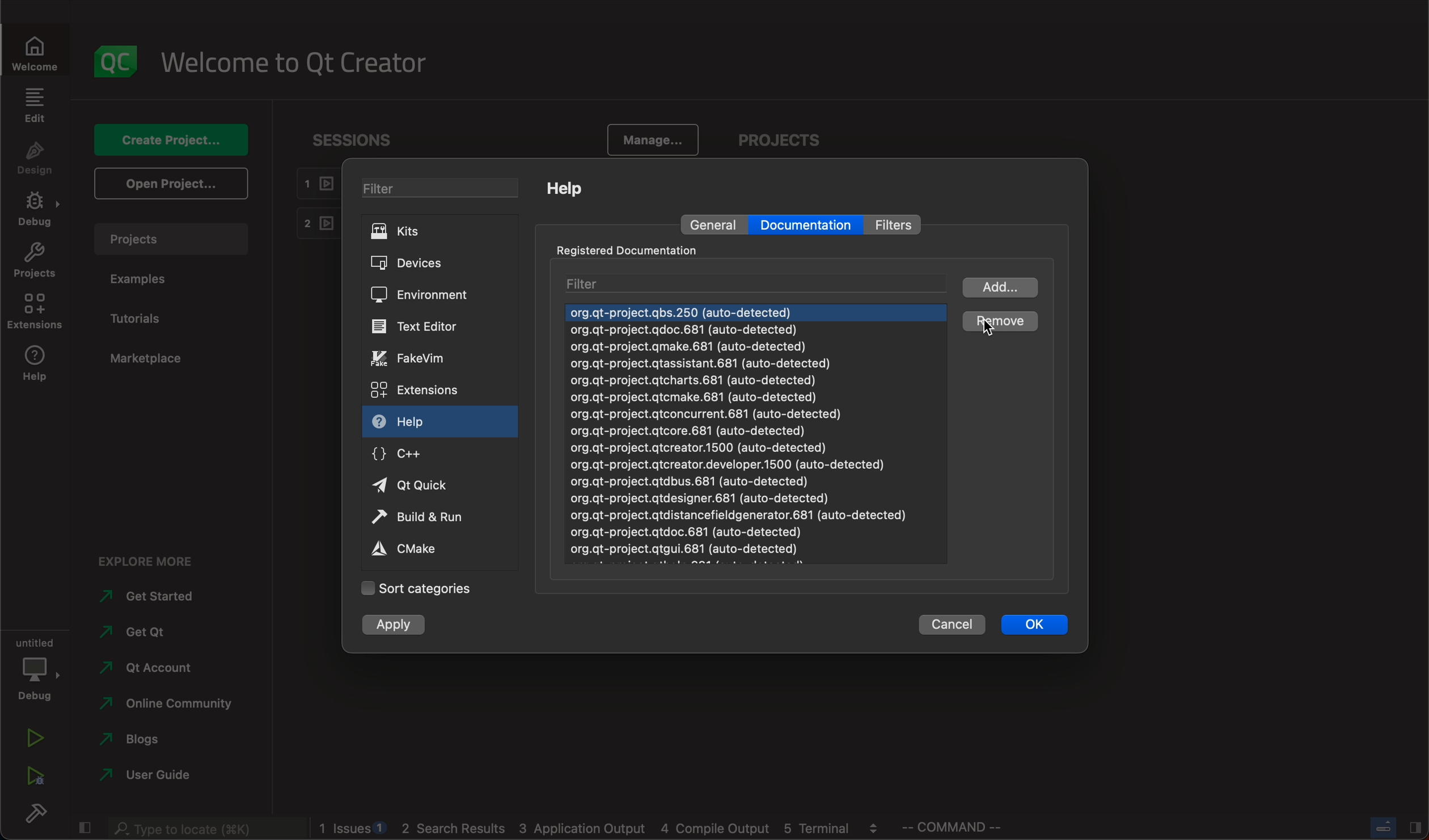 This screenshot has height=840, width=1429. Describe the element at coordinates (737, 448) in the screenshot. I see `org.gt-project.qdoc.681 (auto-detected)
org.gt-project.gmake.681 (auto-detected)
org.qt-project.qtassistant.681 (auto-detected)
org.qt-project.qtcharts.681 (auto-detected)
org.gt-project.gtcmake.681 (auto-detected)
org.gt-project.gtconcurrent.681 (auto-detected)
org.qt-project.qtcore.681 (auto-detected)
org.gt-project.qtcreator.1500 (auto-detected)
org.qt-project.qtcreator.developer.1500 (auto-detected)
org.qt-project.qtdbus.681 (auto-detected)
org.qt-project.qtdesigner.681 (auto-detected)
org.gt-project.qtdistancefieldgenerator.681 (auto-detected)
org.qt-project.qtdoc.681 (auto-detected)
org.gt-project.qtgui.681 (auto-detected)` at that location.